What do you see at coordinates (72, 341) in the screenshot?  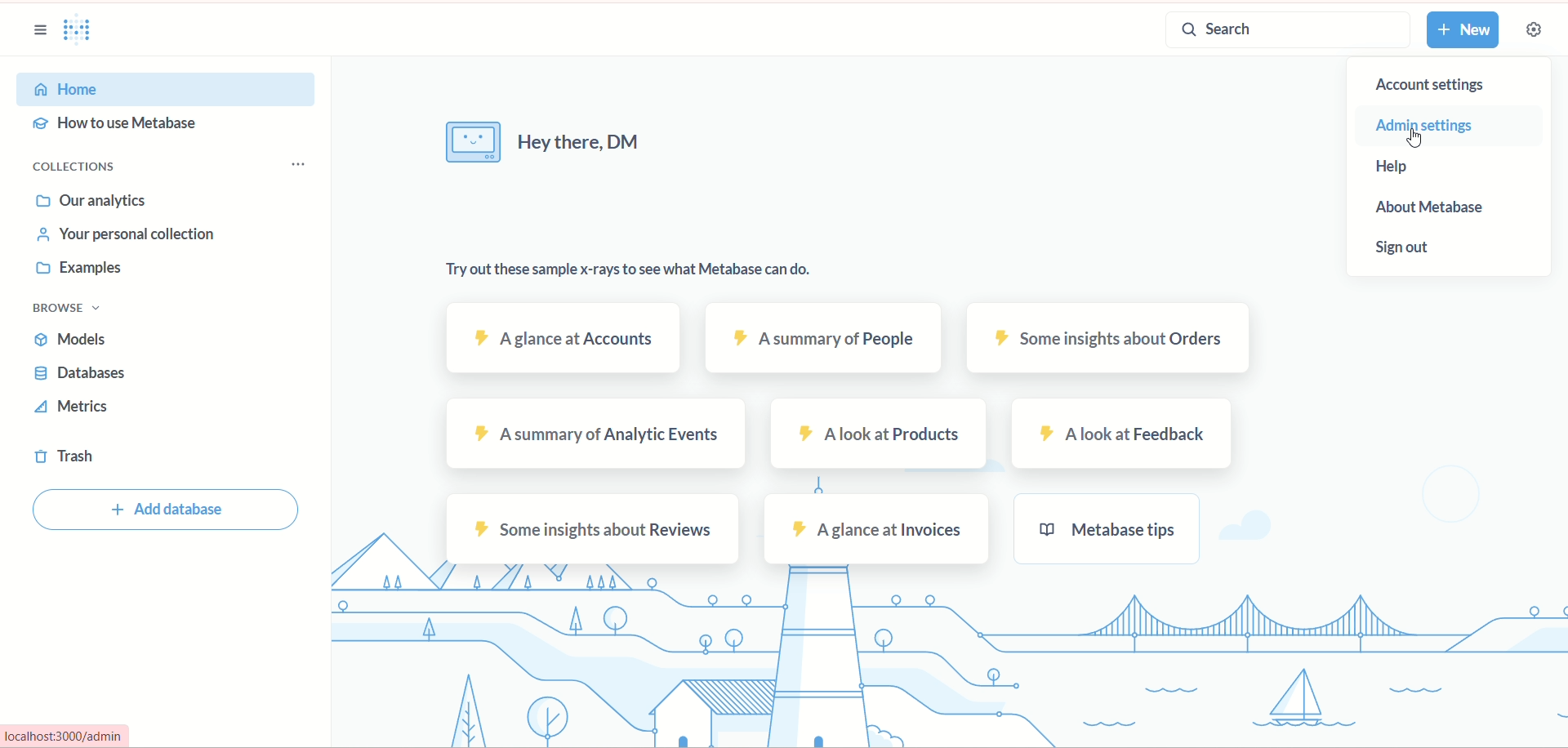 I see `models` at bounding box center [72, 341].